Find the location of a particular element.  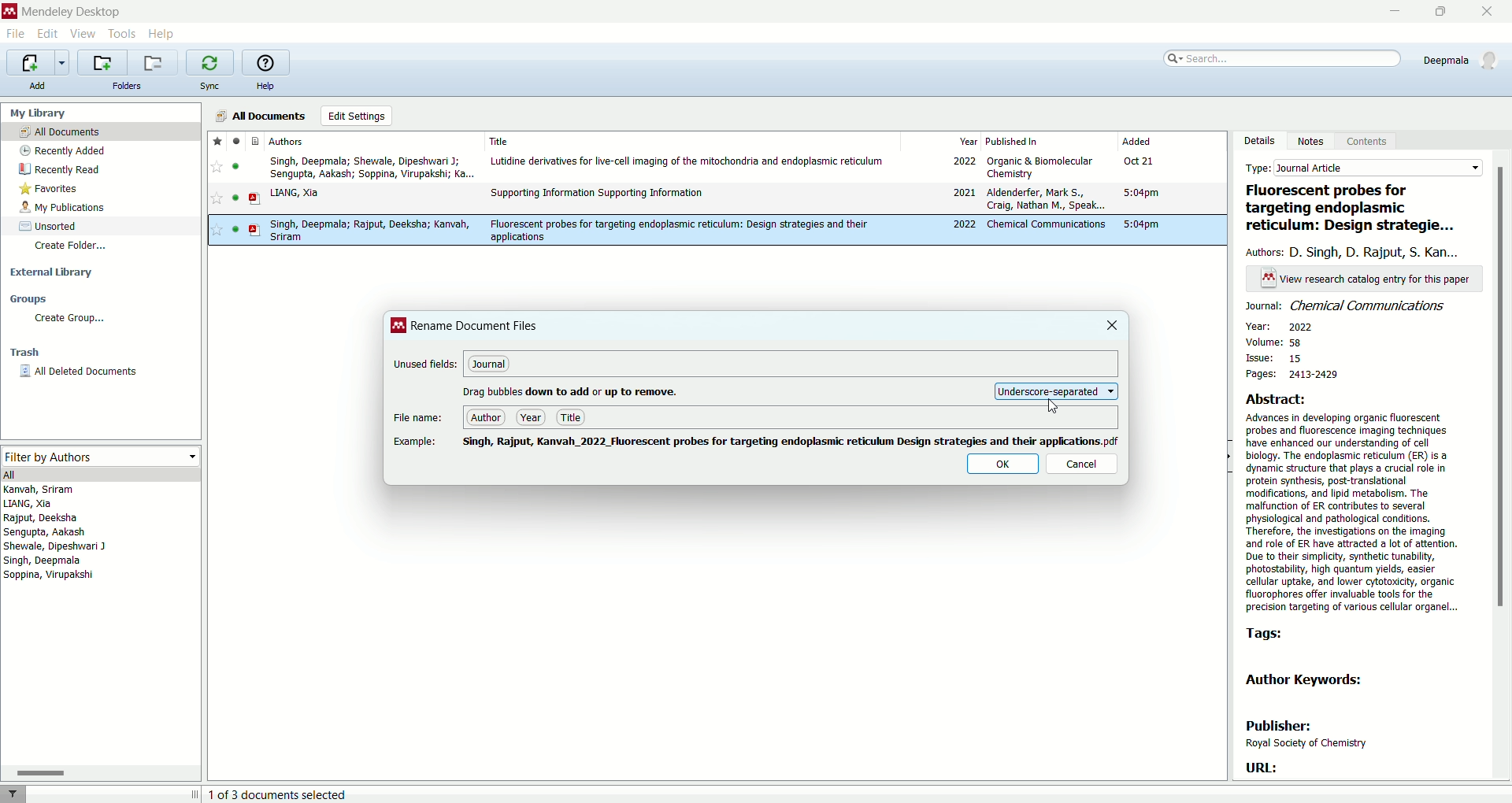

tags is located at coordinates (1273, 635).